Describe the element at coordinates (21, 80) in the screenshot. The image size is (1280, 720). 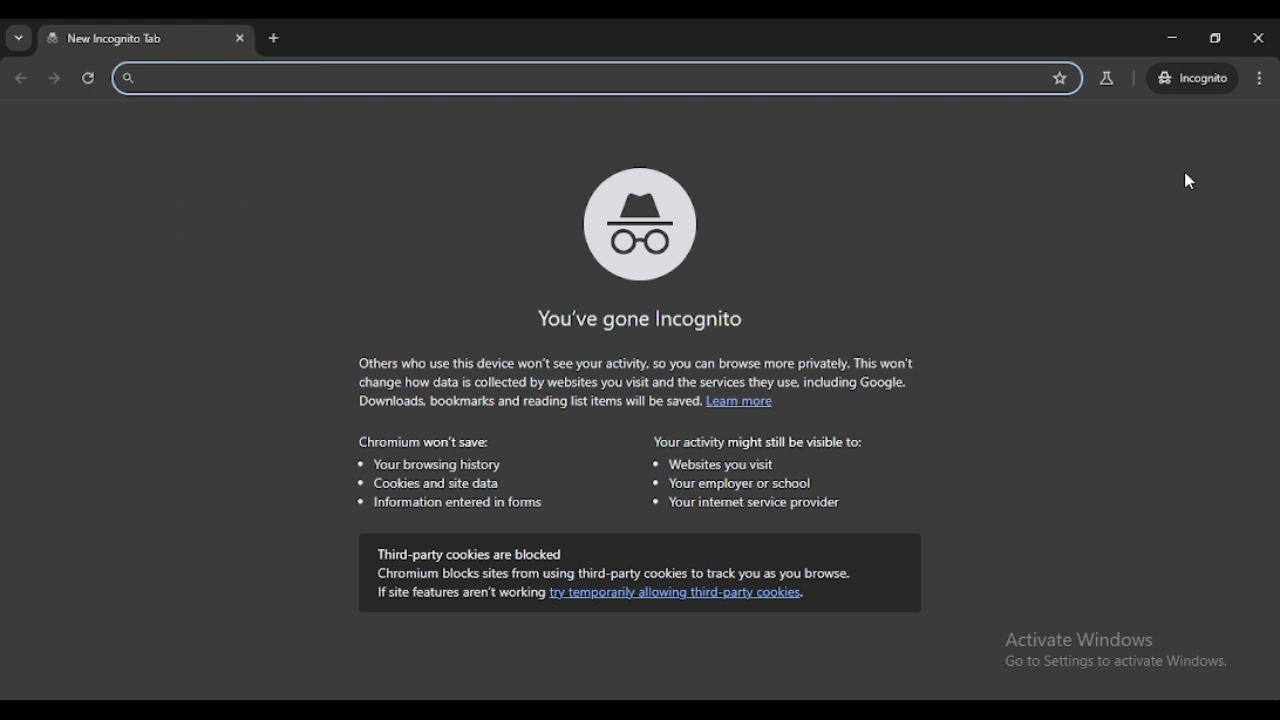
I see `click to go back` at that location.